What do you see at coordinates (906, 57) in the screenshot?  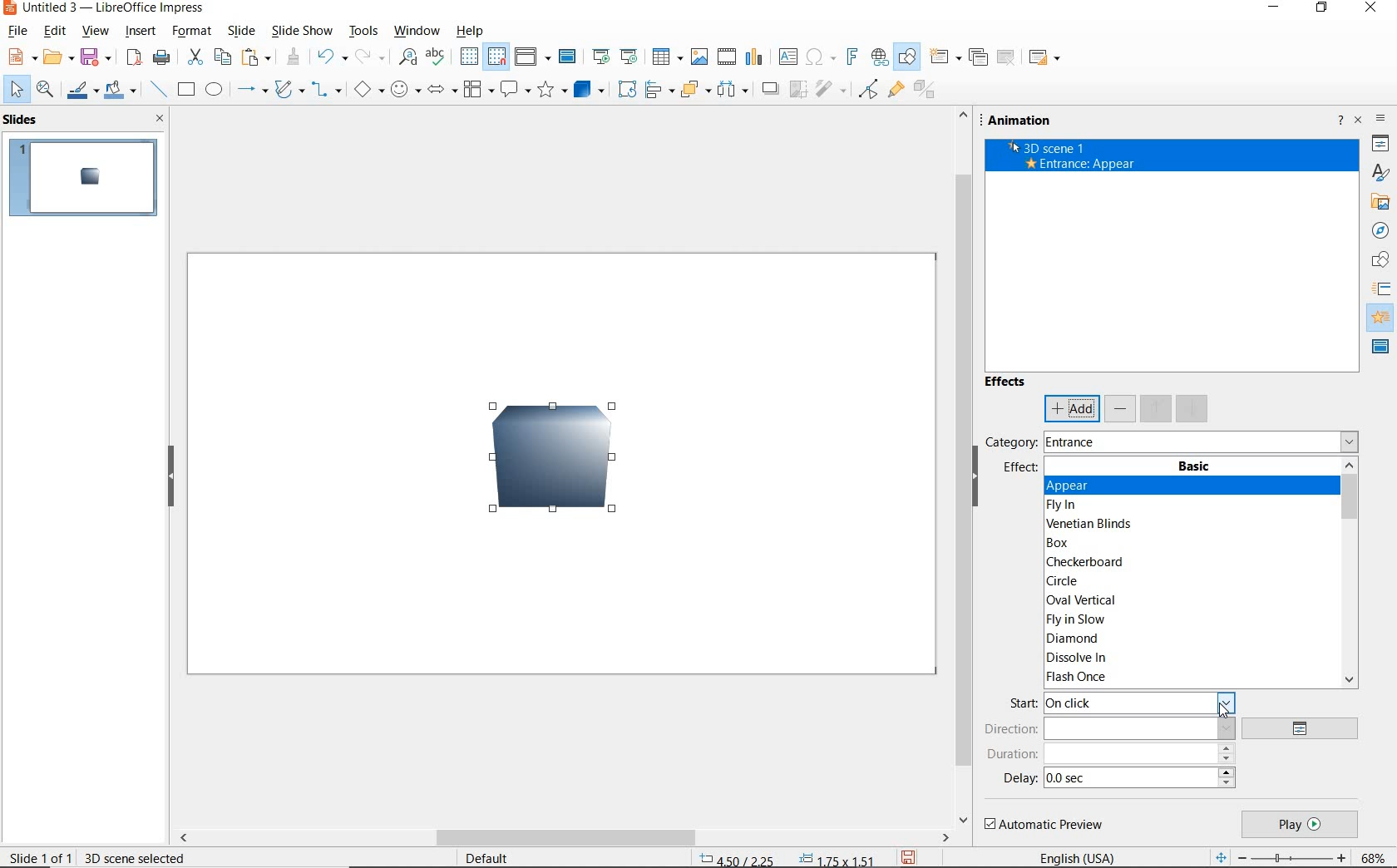 I see `show draw functions` at bounding box center [906, 57].